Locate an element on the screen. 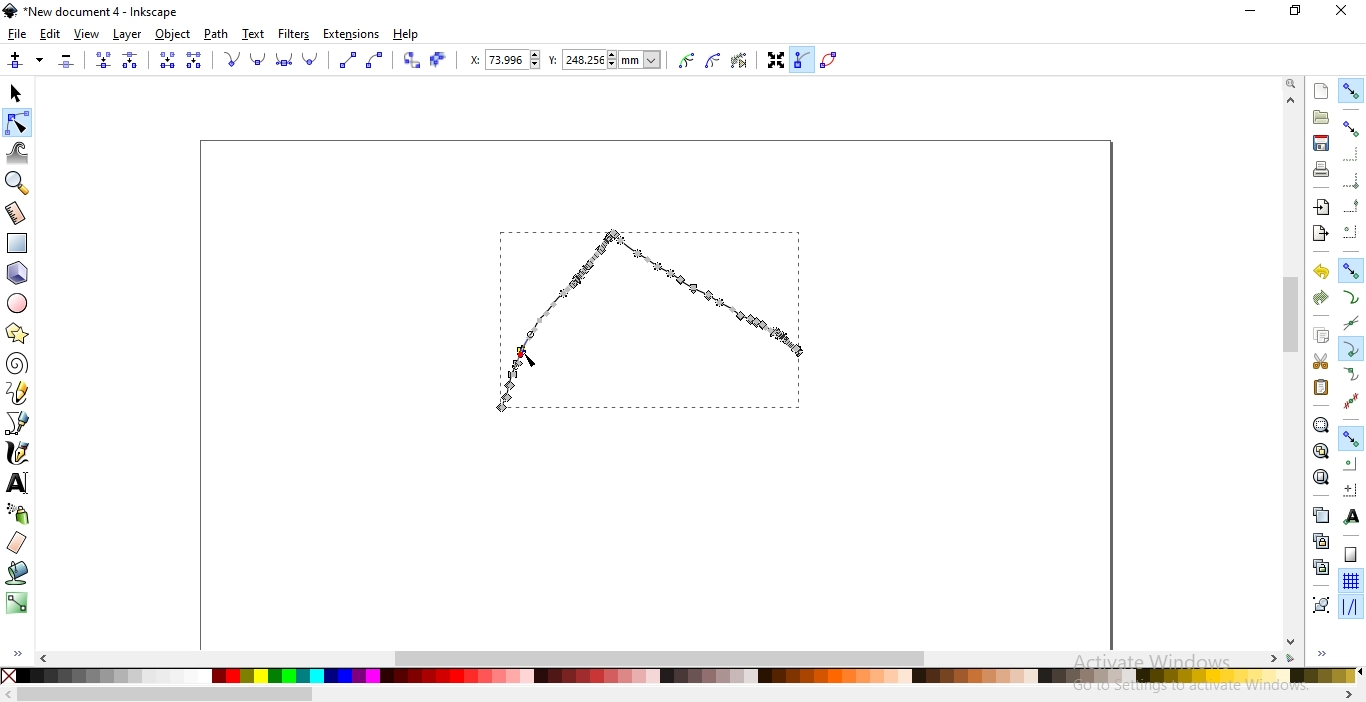  create spirals is located at coordinates (16, 364).